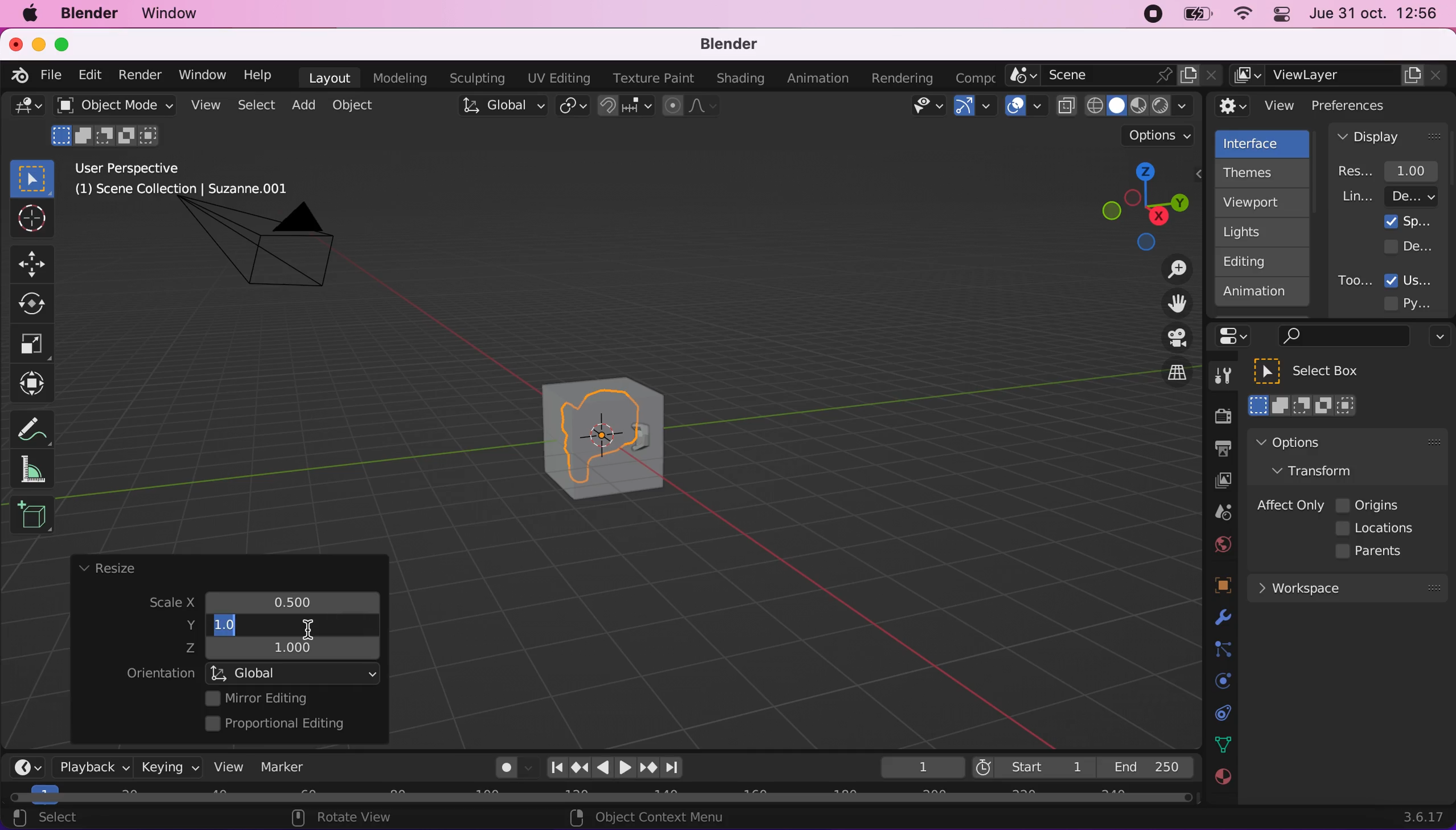  Describe the element at coordinates (1221, 783) in the screenshot. I see `texture` at that location.